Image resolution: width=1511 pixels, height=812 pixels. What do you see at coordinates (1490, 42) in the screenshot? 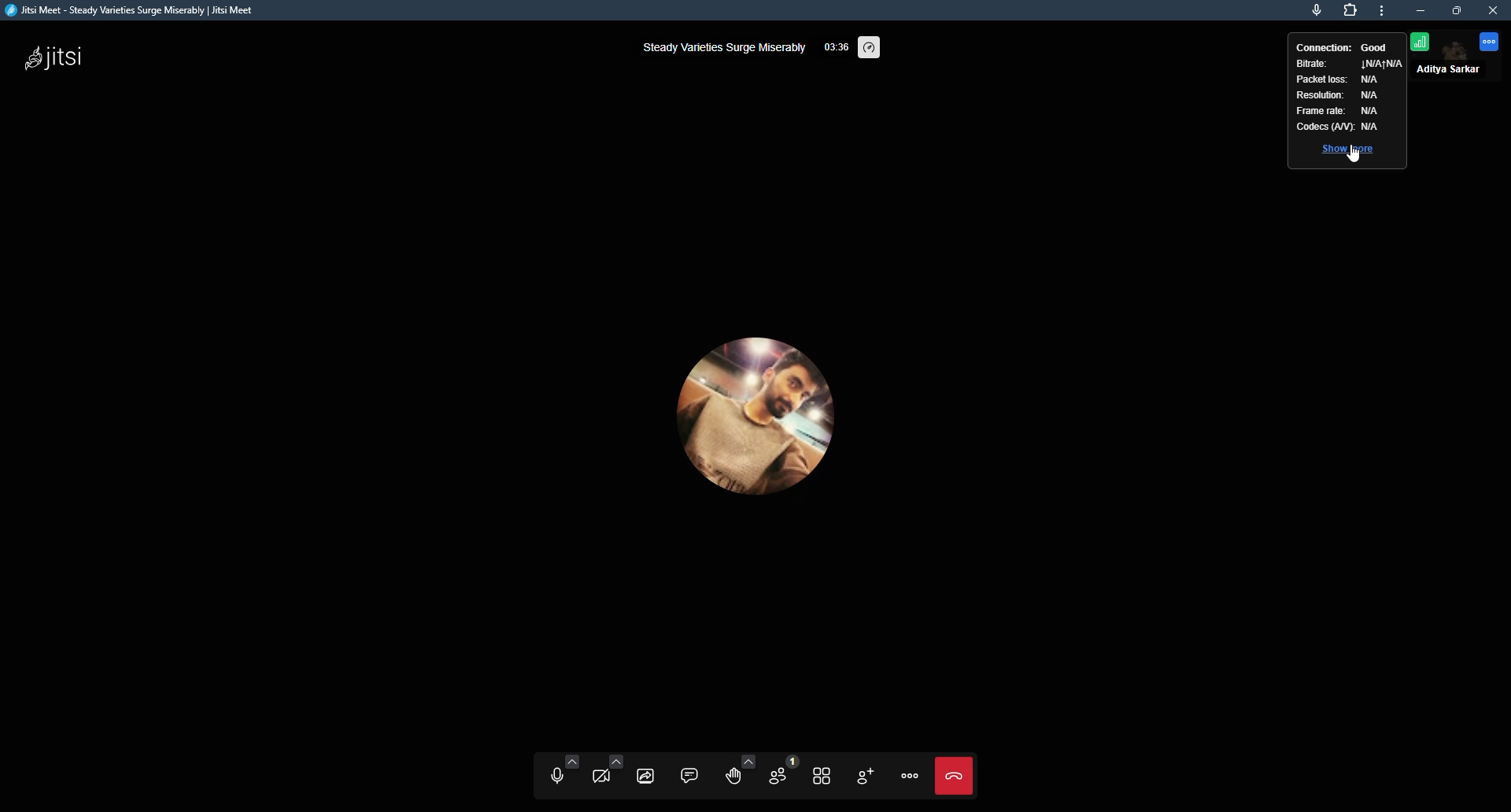
I see `more` at bounding box center [1490, 42].